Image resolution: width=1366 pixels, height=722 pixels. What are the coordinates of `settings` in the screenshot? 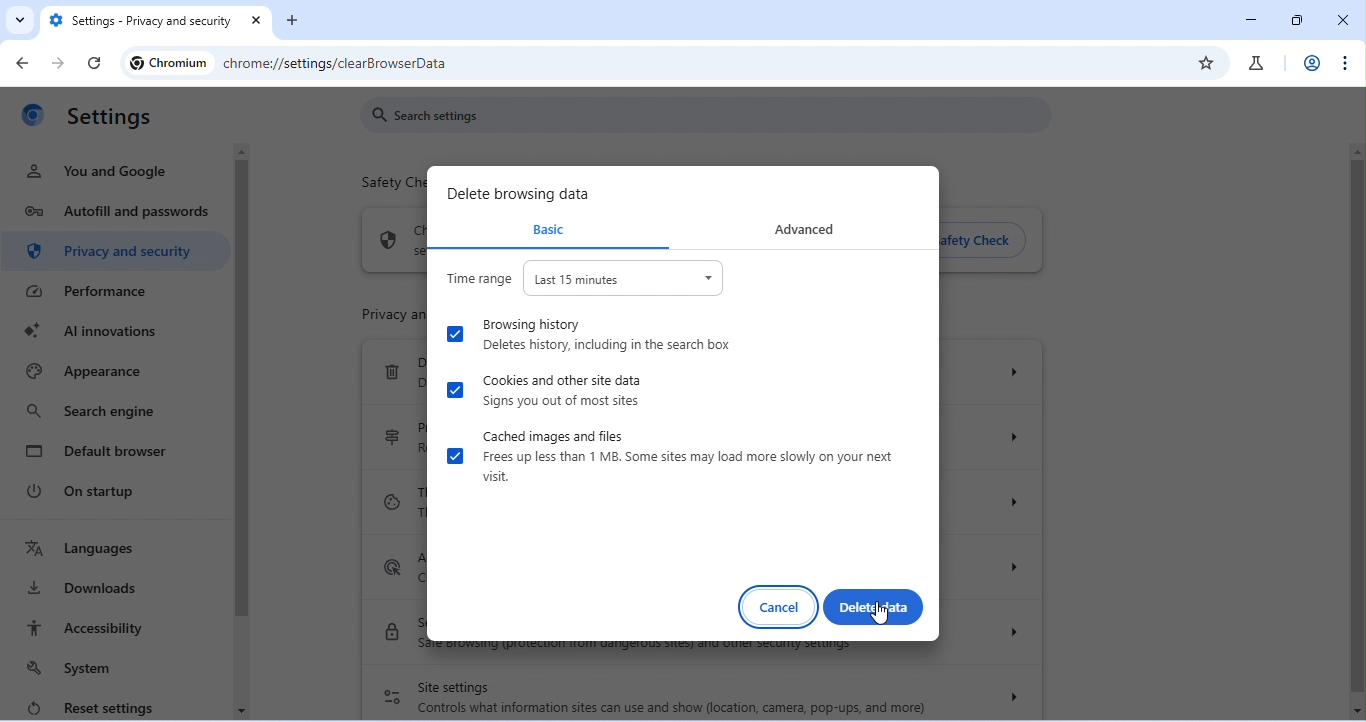 It's located at (112, 118).